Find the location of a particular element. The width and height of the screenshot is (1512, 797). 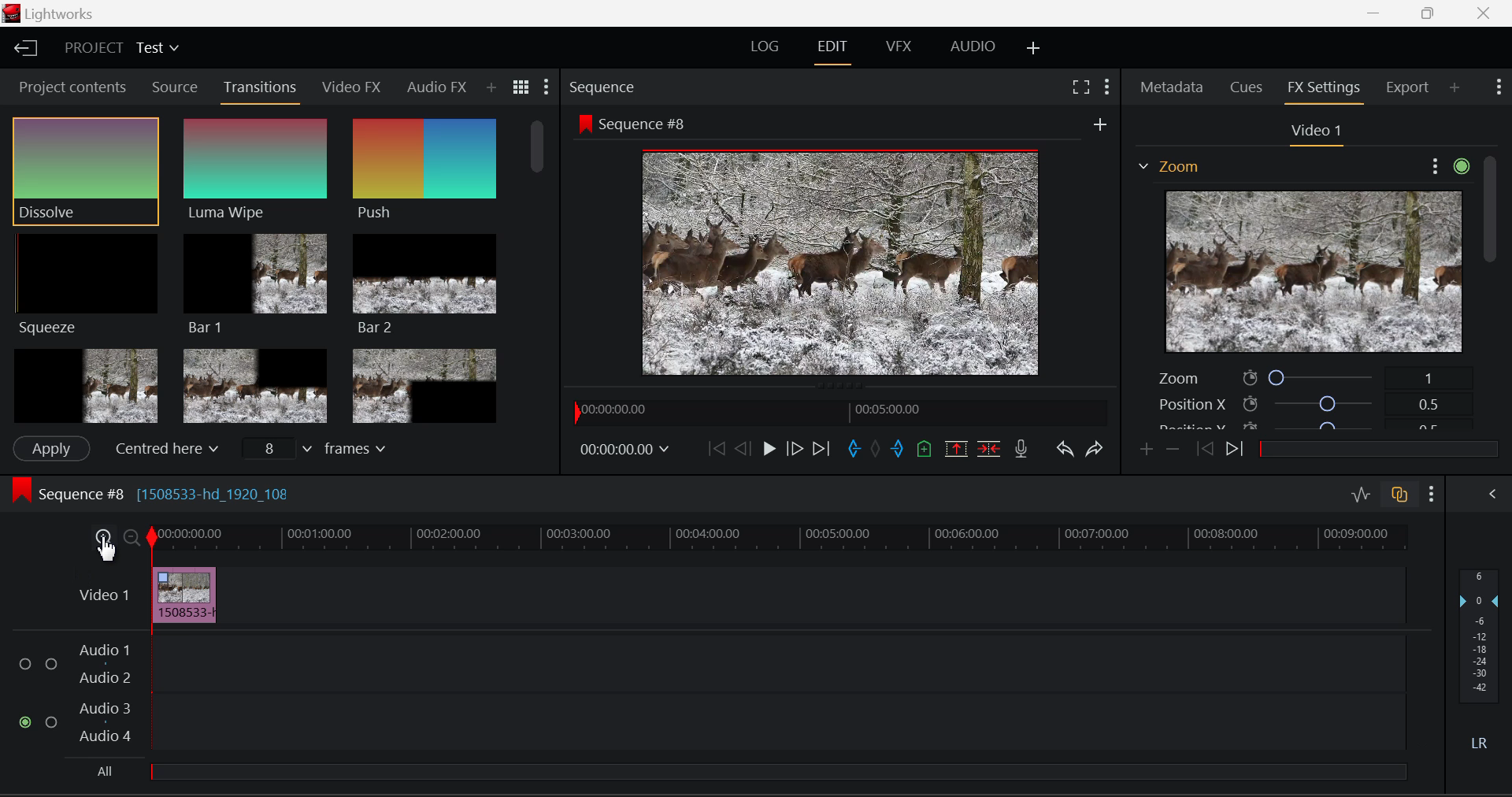

EDIT Layout Open is located at coordinates (832, 50).